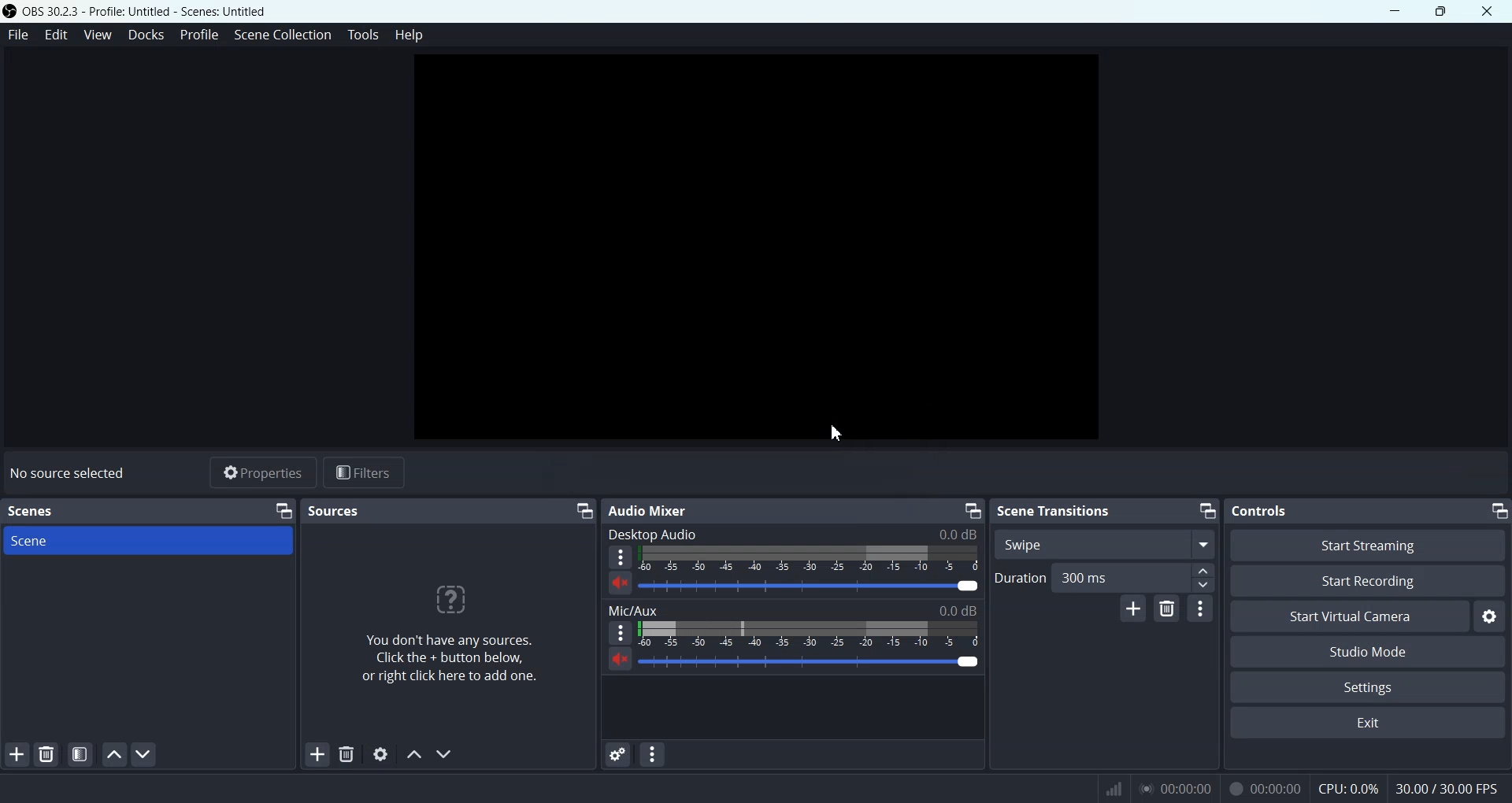 The width and height of the screenshot is (1512, 803). What do you see at coordinates (1132, 609) in the screenshot?
I see `Add configurable Transition` at bounding box center [1132, 609].